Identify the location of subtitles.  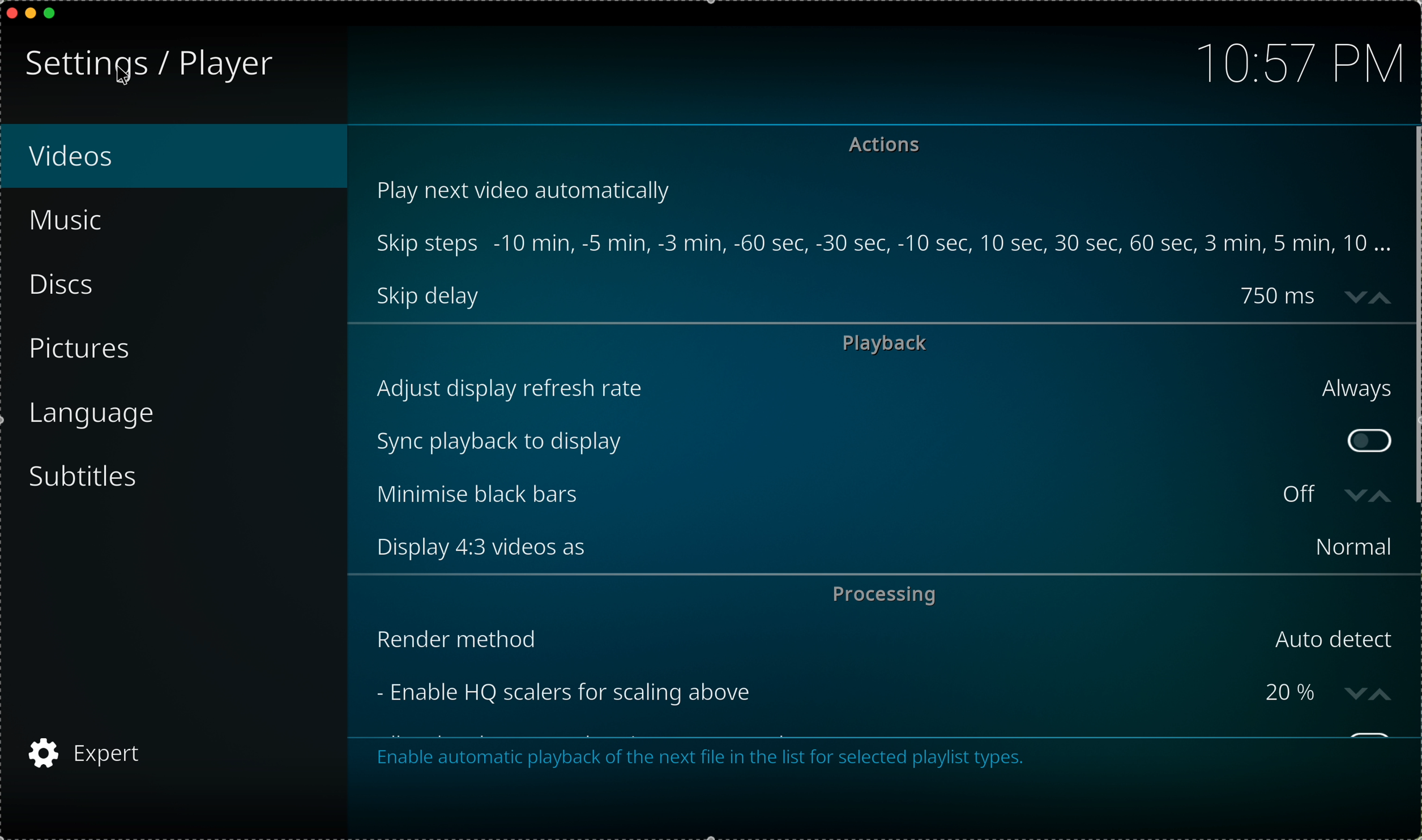
(89, 477).